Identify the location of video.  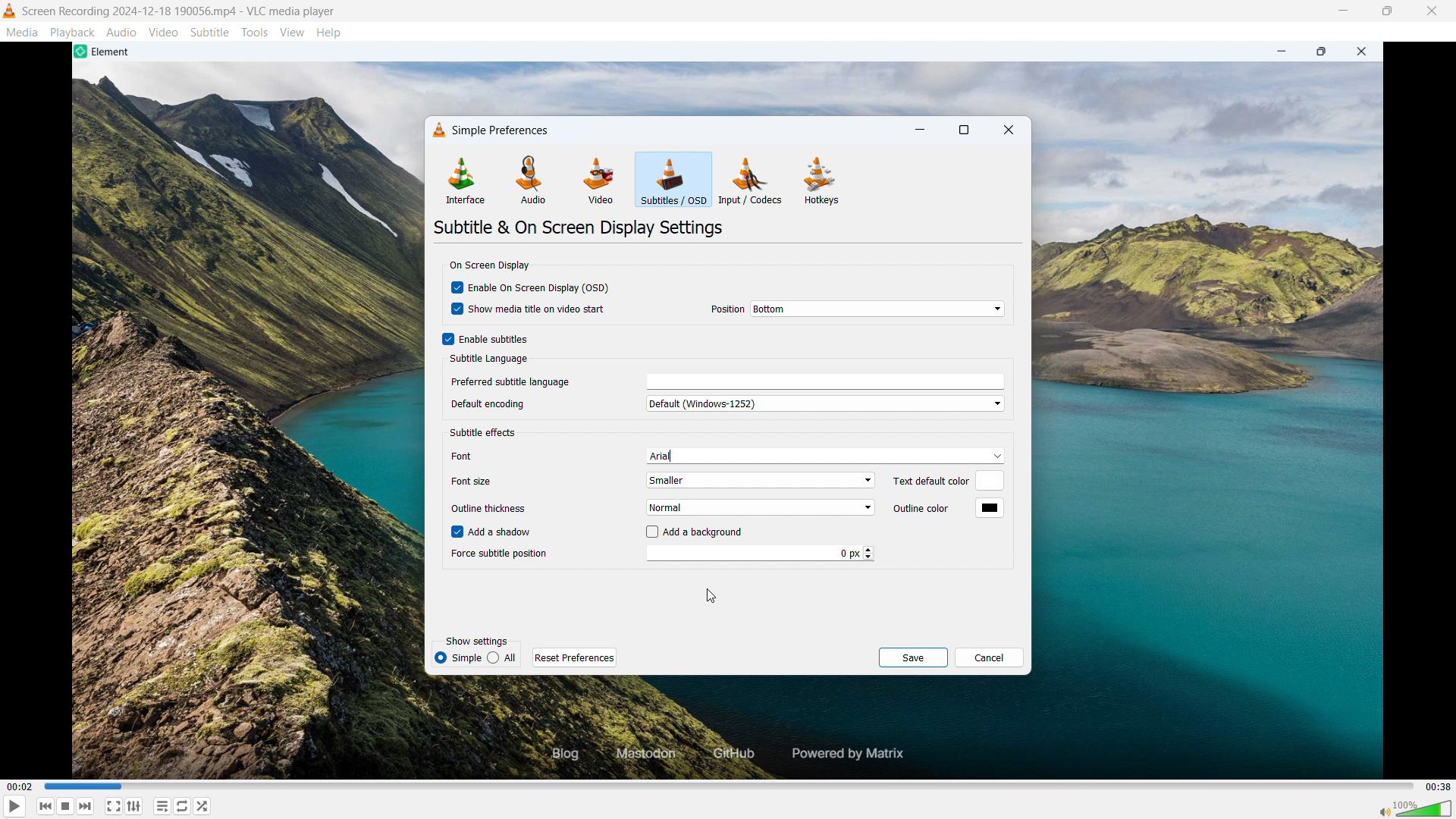
(598, 182).